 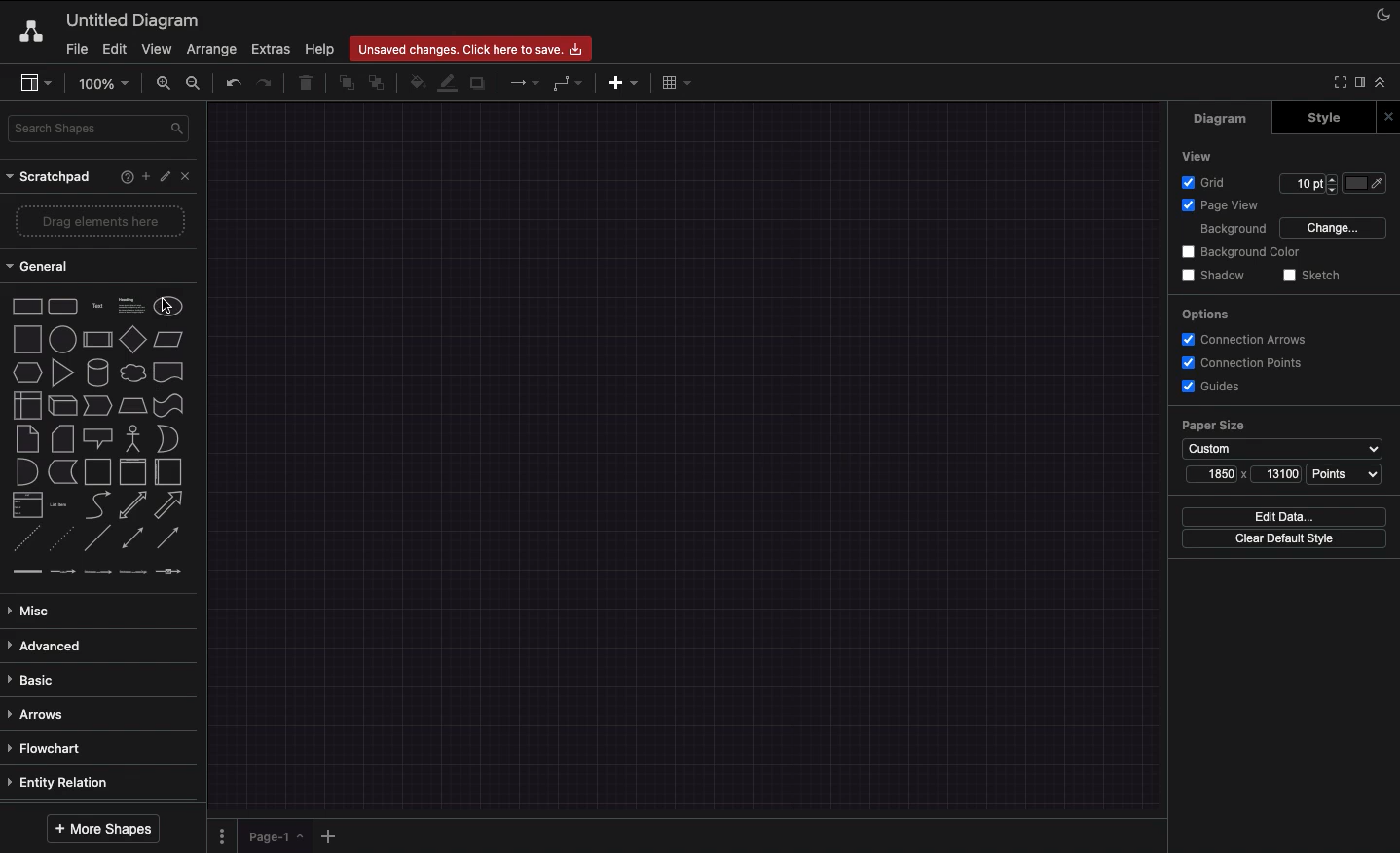 What do you see at coordinates (25, 439) in the screenshot?
I see `Note` at bounding box center [25, 439].